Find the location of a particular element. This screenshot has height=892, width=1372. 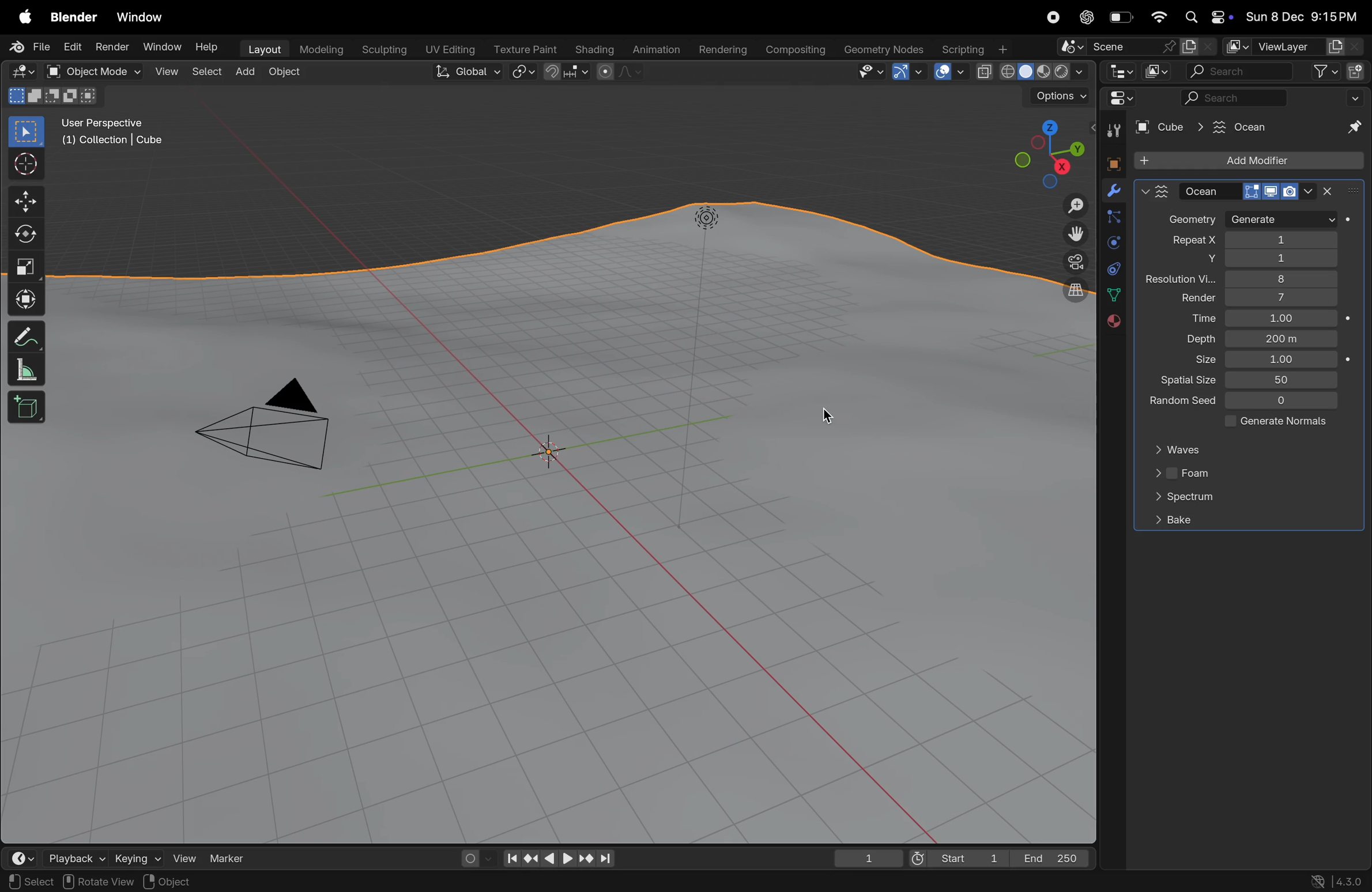

playbacks controls is located at coordinates (559, 859).